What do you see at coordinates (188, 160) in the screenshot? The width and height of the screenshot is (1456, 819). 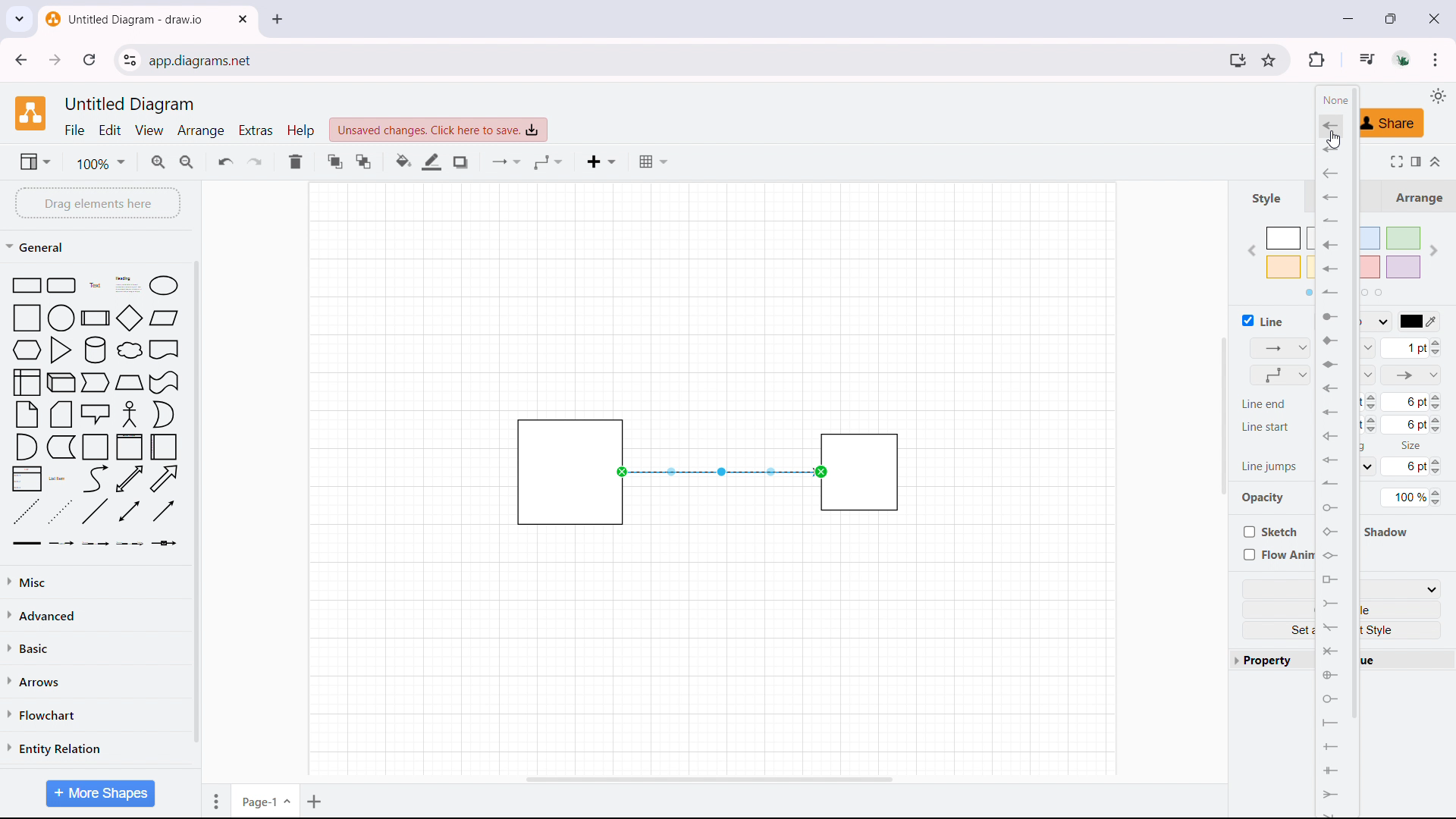 I see `zoom out` at bounding box center [188, 160].